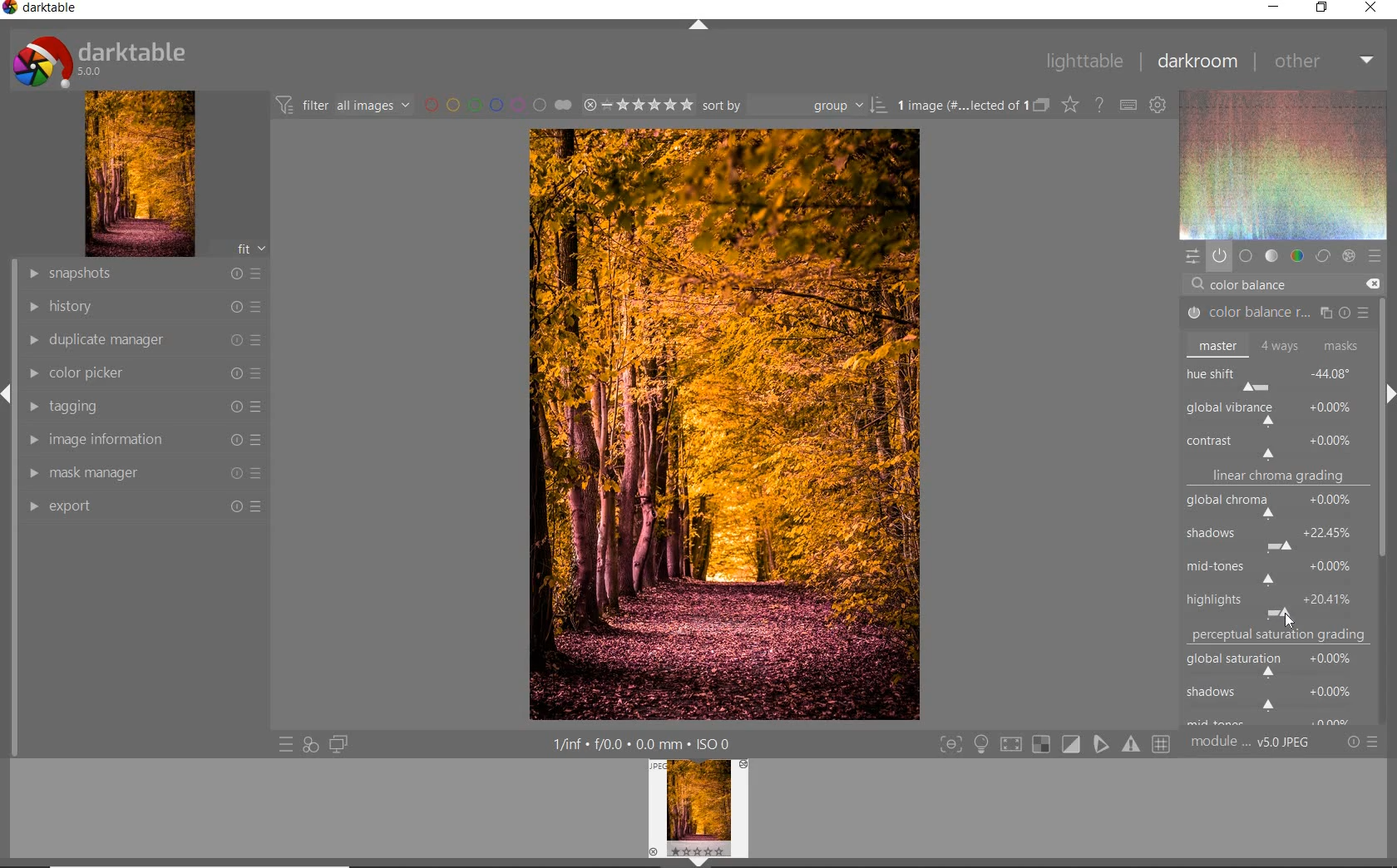 The height and width of the screenshot is (868, 1397). What do you see at coordinates (146, 473) in the screenshot?
I see `mask manager` at bounding box center [146, 473].